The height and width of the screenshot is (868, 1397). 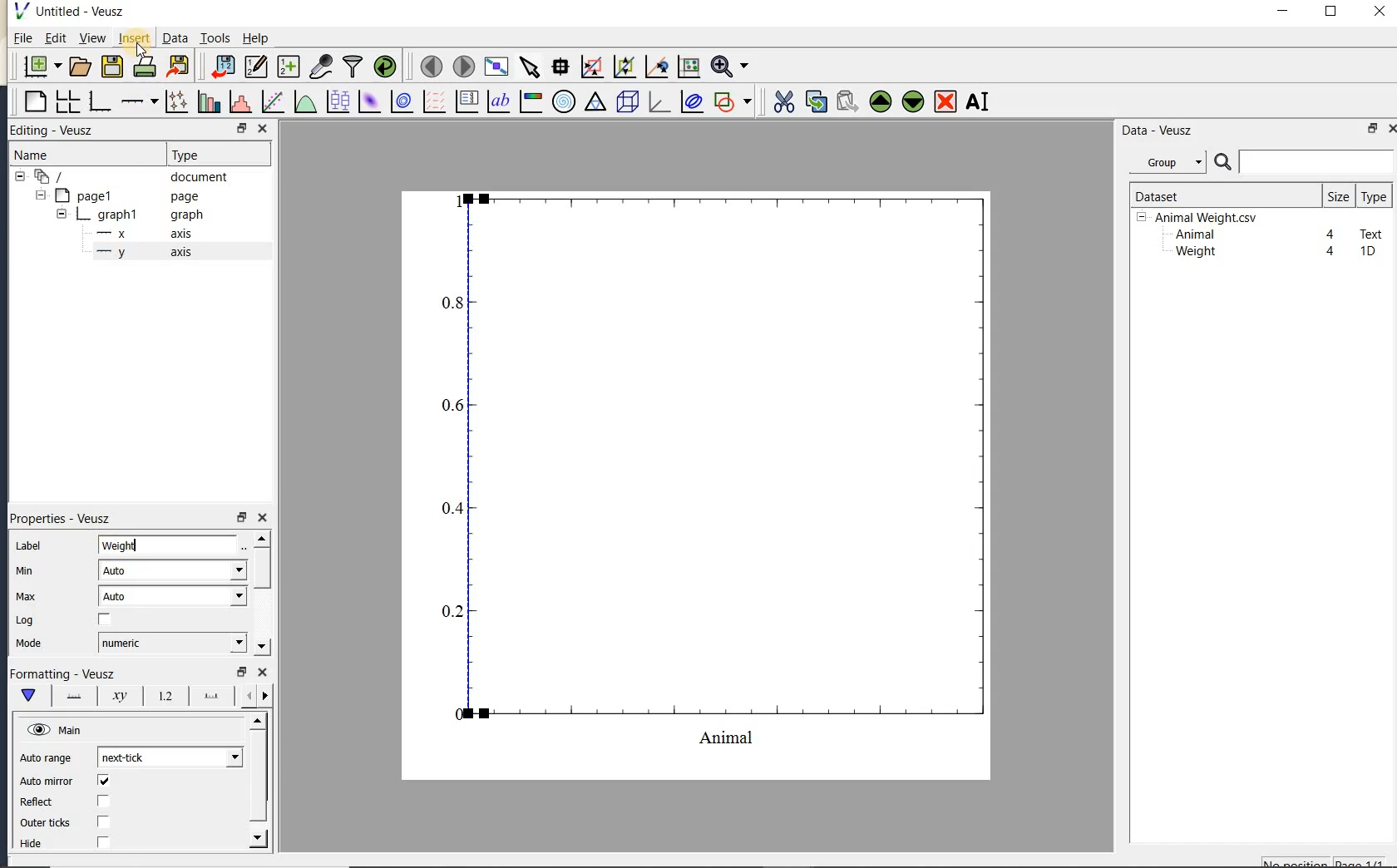 What do you see at coordinates (625, 66) in the screenshot?
I see `click to zoom out of graph axes` at bounding box center [625, 66].